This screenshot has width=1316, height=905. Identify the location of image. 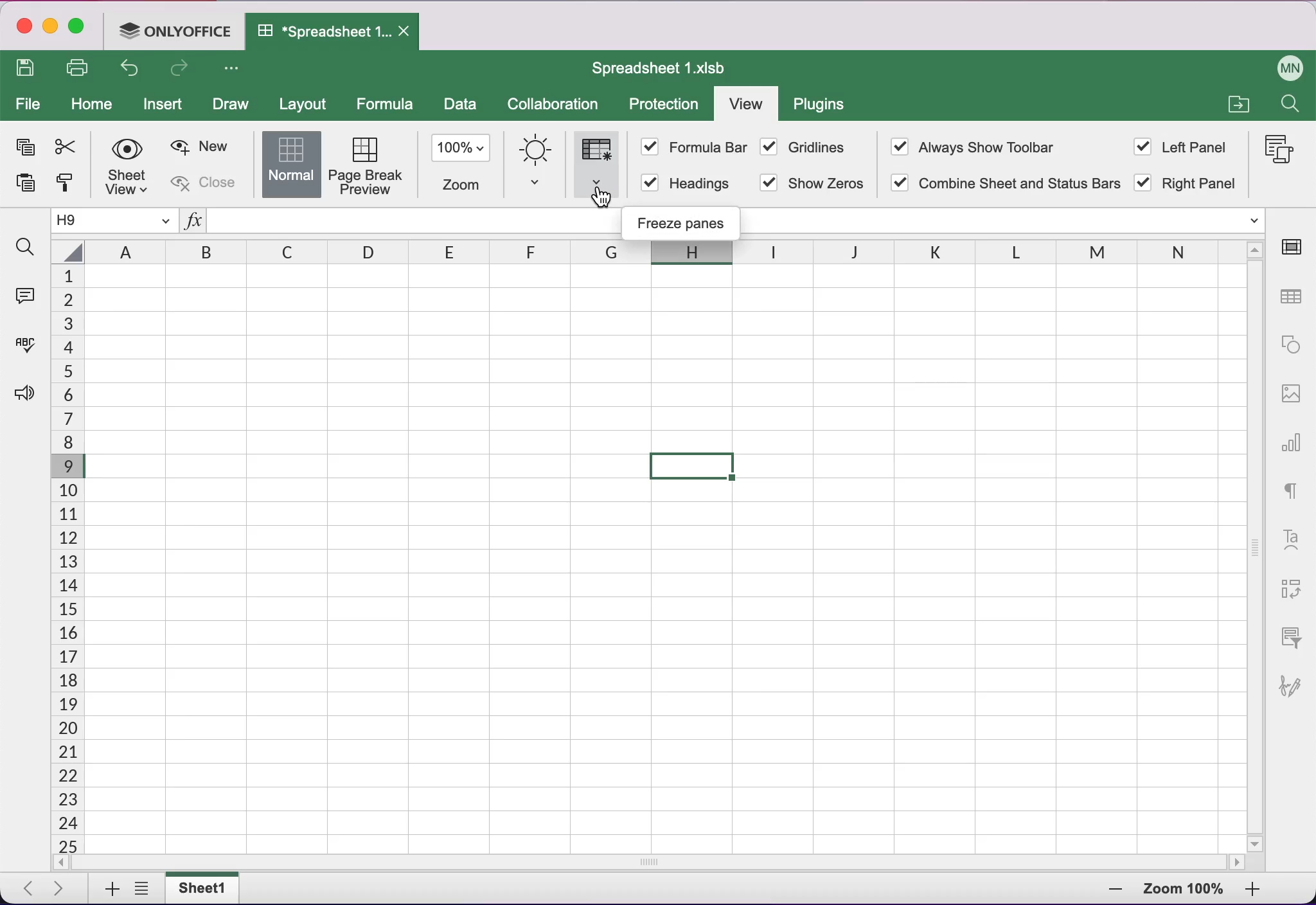
(1289, 400).